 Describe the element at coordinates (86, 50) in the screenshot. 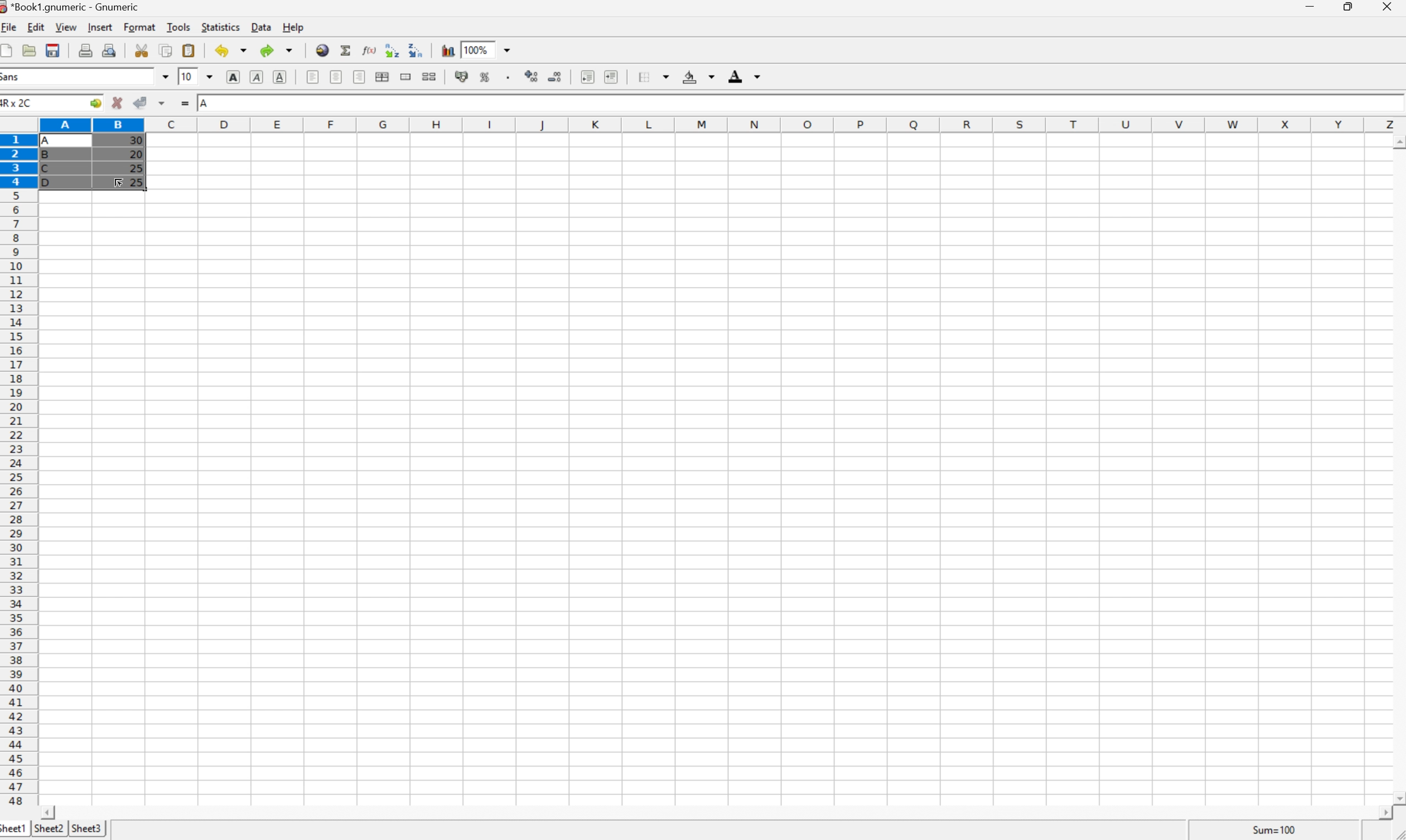

I see `Print the current file` at that location.